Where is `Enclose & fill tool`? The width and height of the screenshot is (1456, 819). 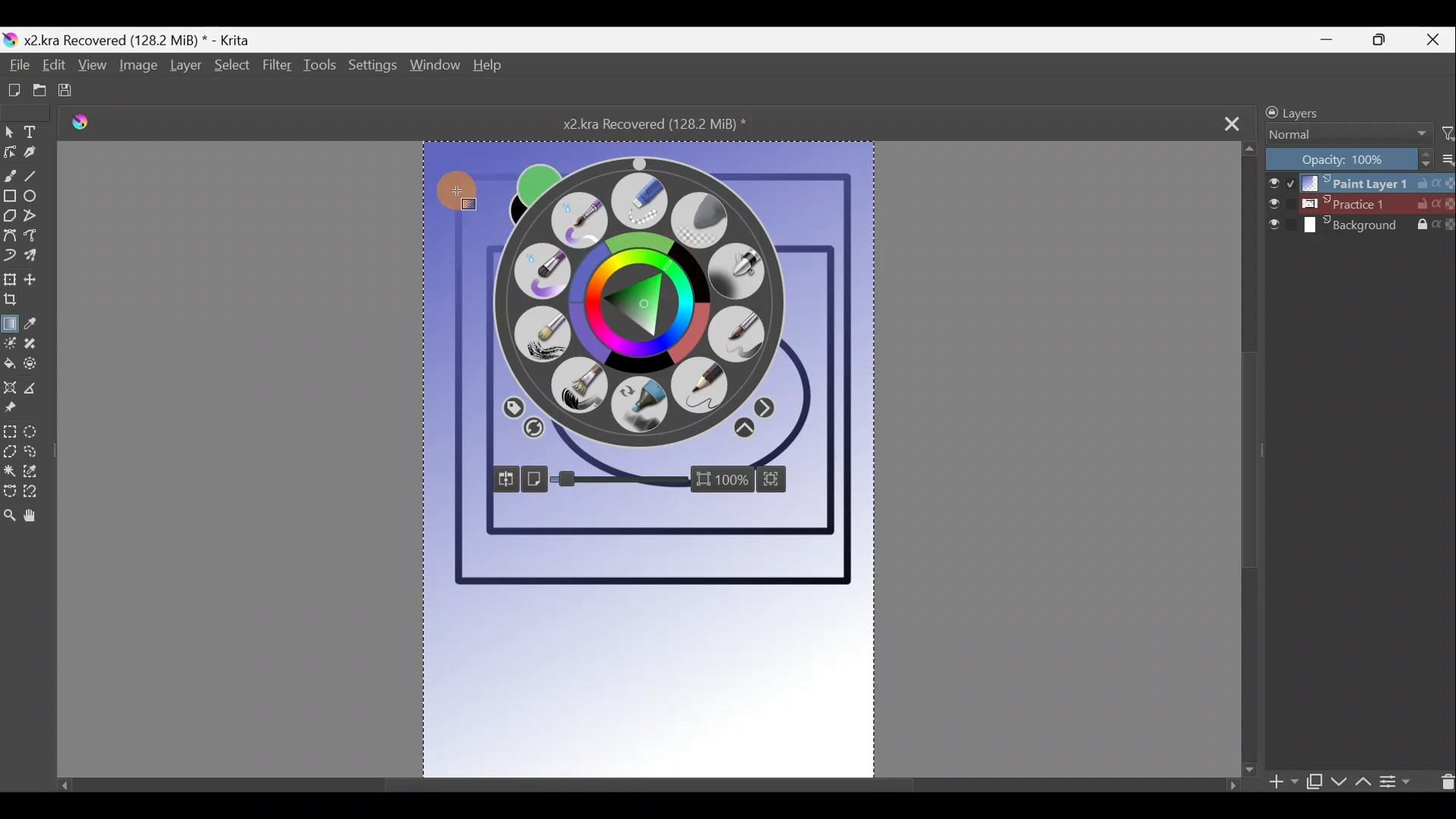 Enclose & fill tool is located at coordinates (39, 367).